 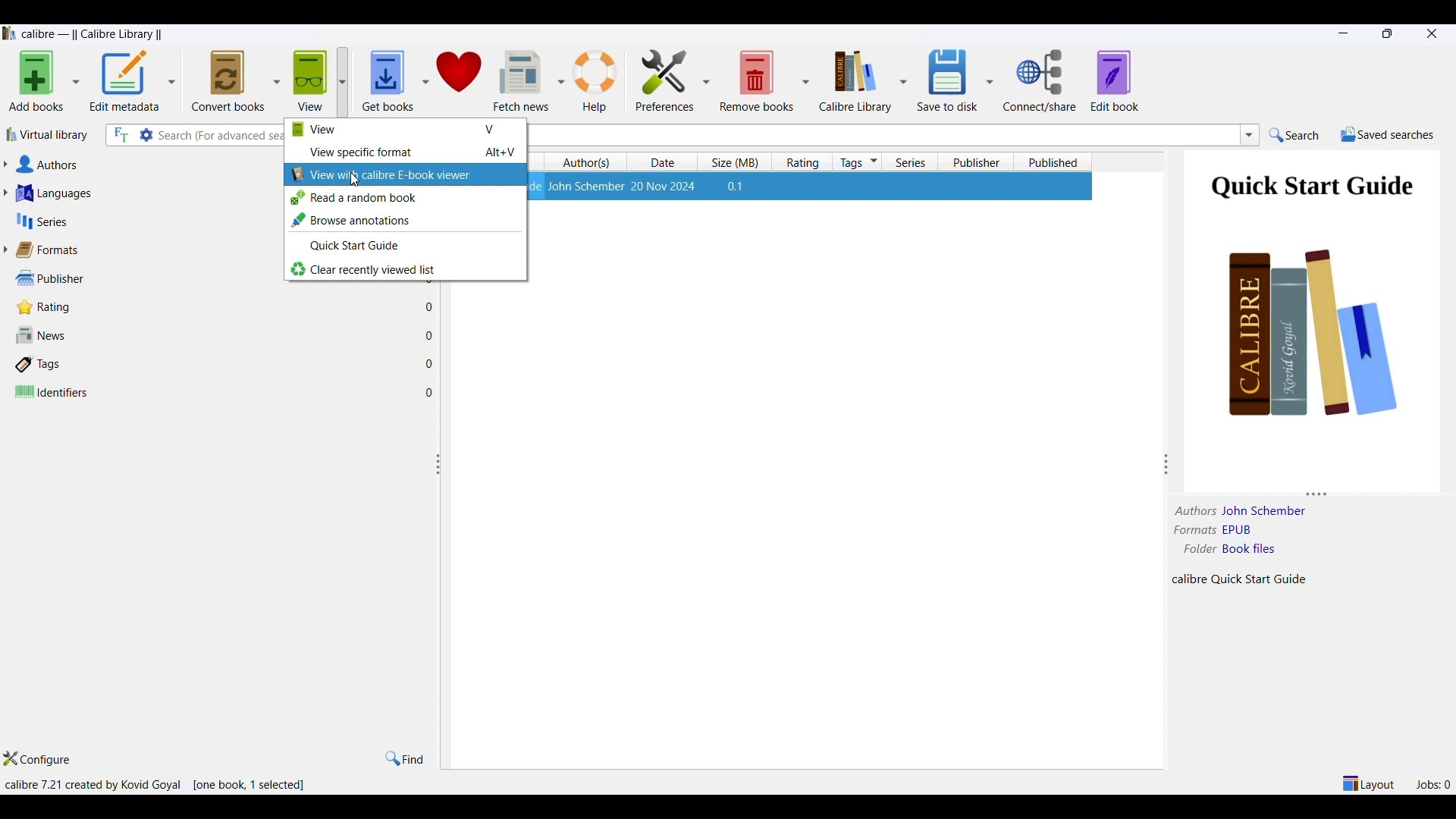 I want to click on connect/share, so click(x=1043, y=82).